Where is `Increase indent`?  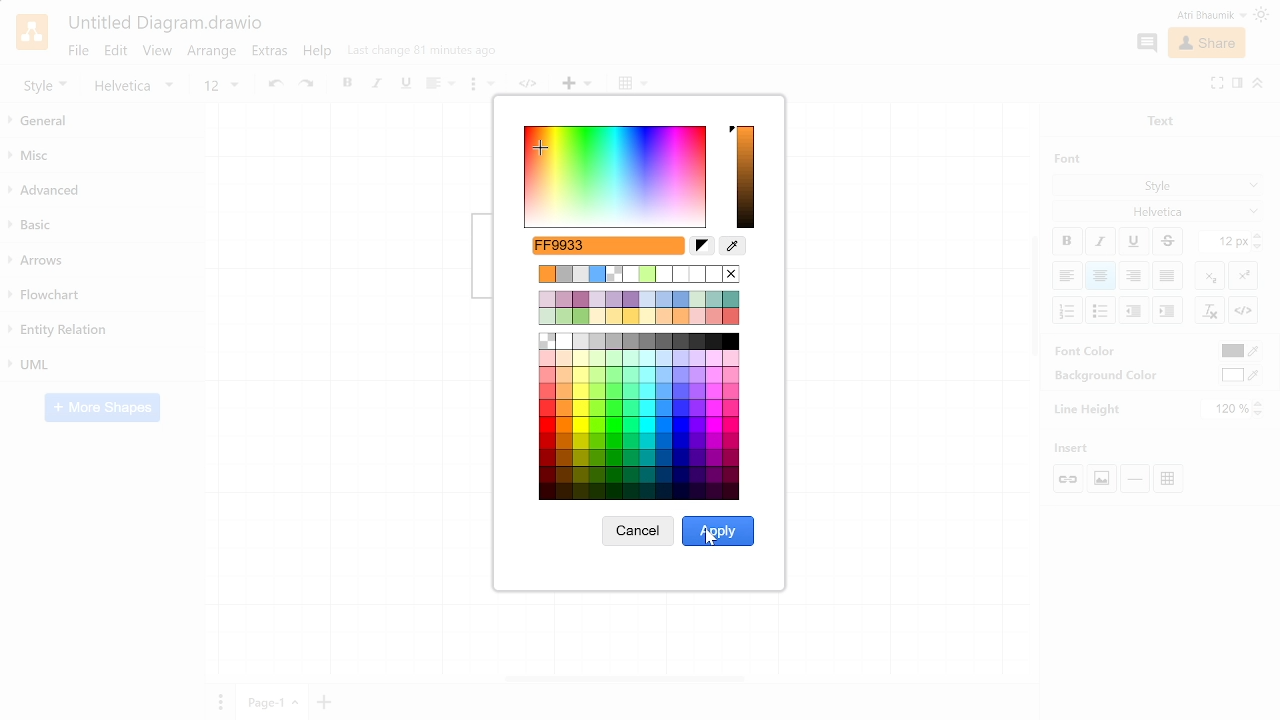 Increase indent is located at coordinates (1135, 309).